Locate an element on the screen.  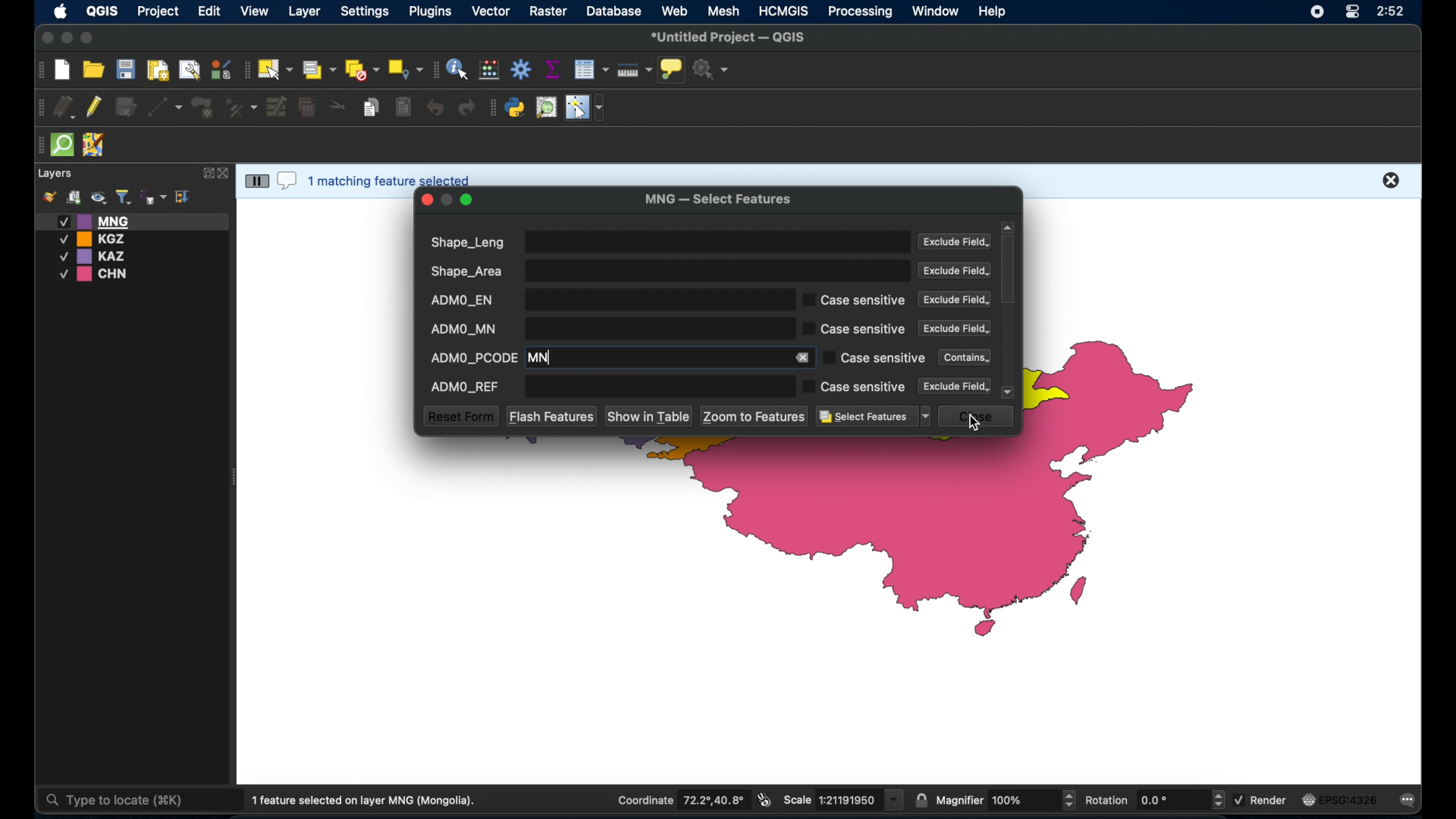
zoom to features is located at coordinates (755, 416).